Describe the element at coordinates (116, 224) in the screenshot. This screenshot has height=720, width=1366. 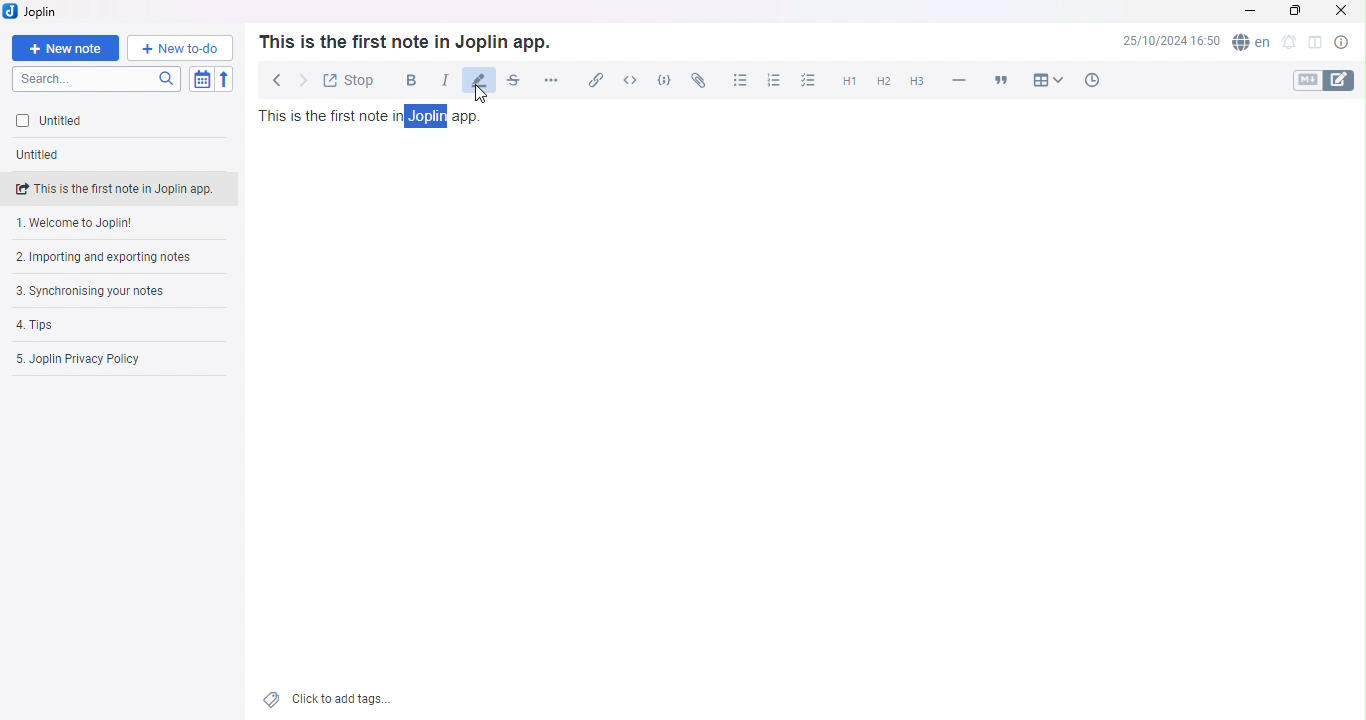
I see `Welcome note` at that location.